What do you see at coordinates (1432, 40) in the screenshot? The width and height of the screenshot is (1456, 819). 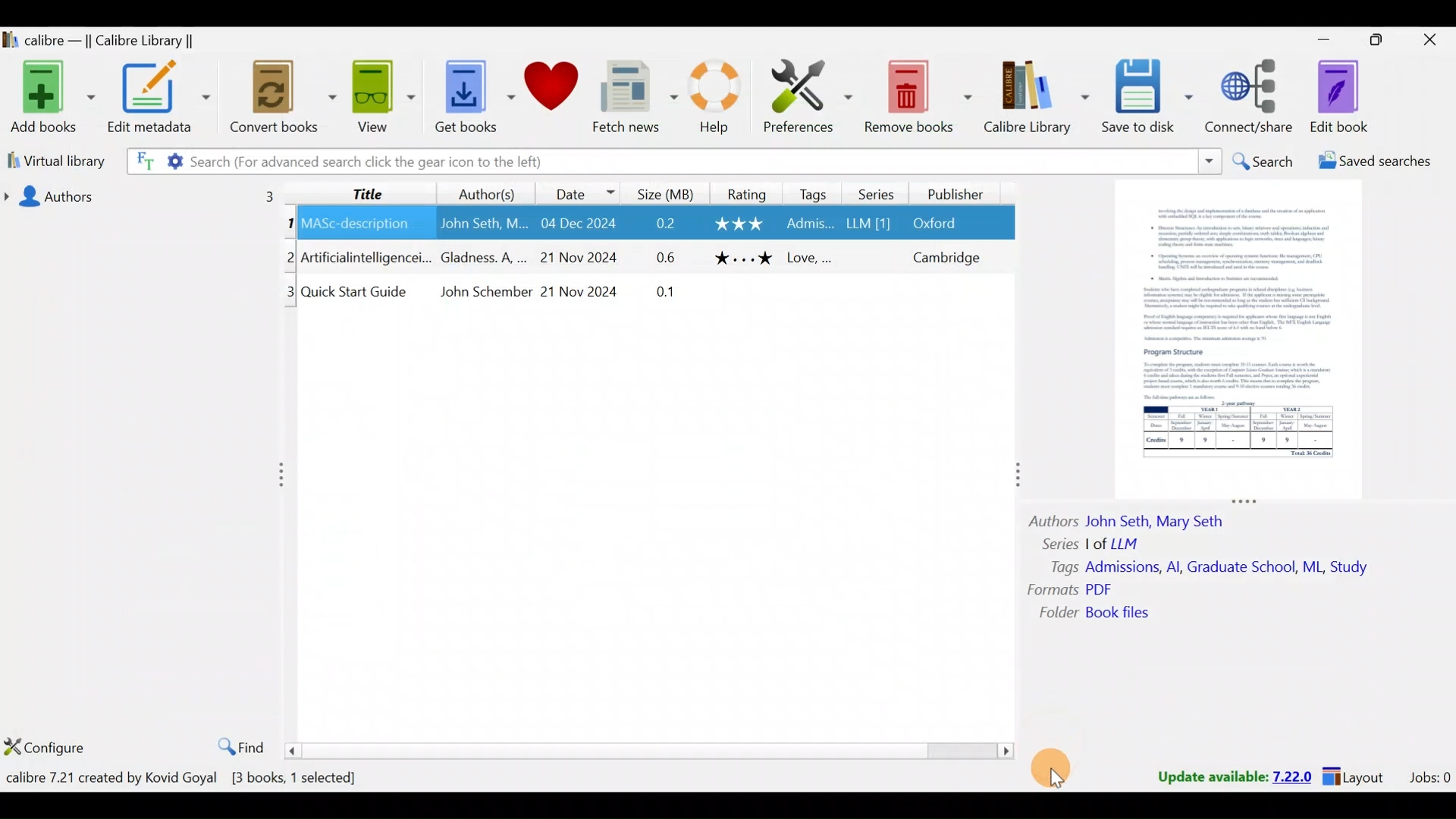 I see `Close` at bounding box center [1432, 40].